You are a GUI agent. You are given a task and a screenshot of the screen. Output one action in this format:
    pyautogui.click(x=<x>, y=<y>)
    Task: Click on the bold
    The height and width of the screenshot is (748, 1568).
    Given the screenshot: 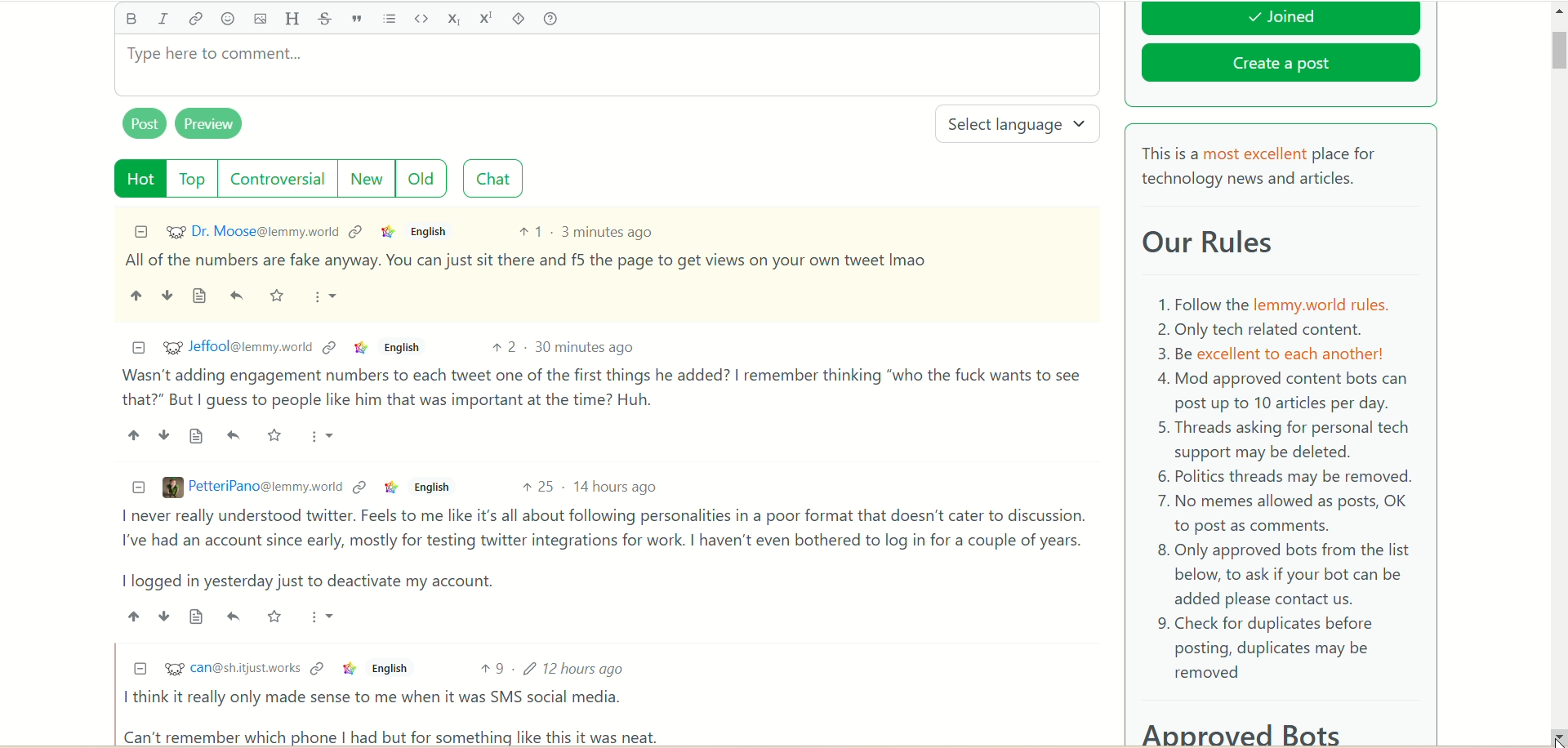 What is the action you would take?
    pyautogui.click(x=130, y=18)
    